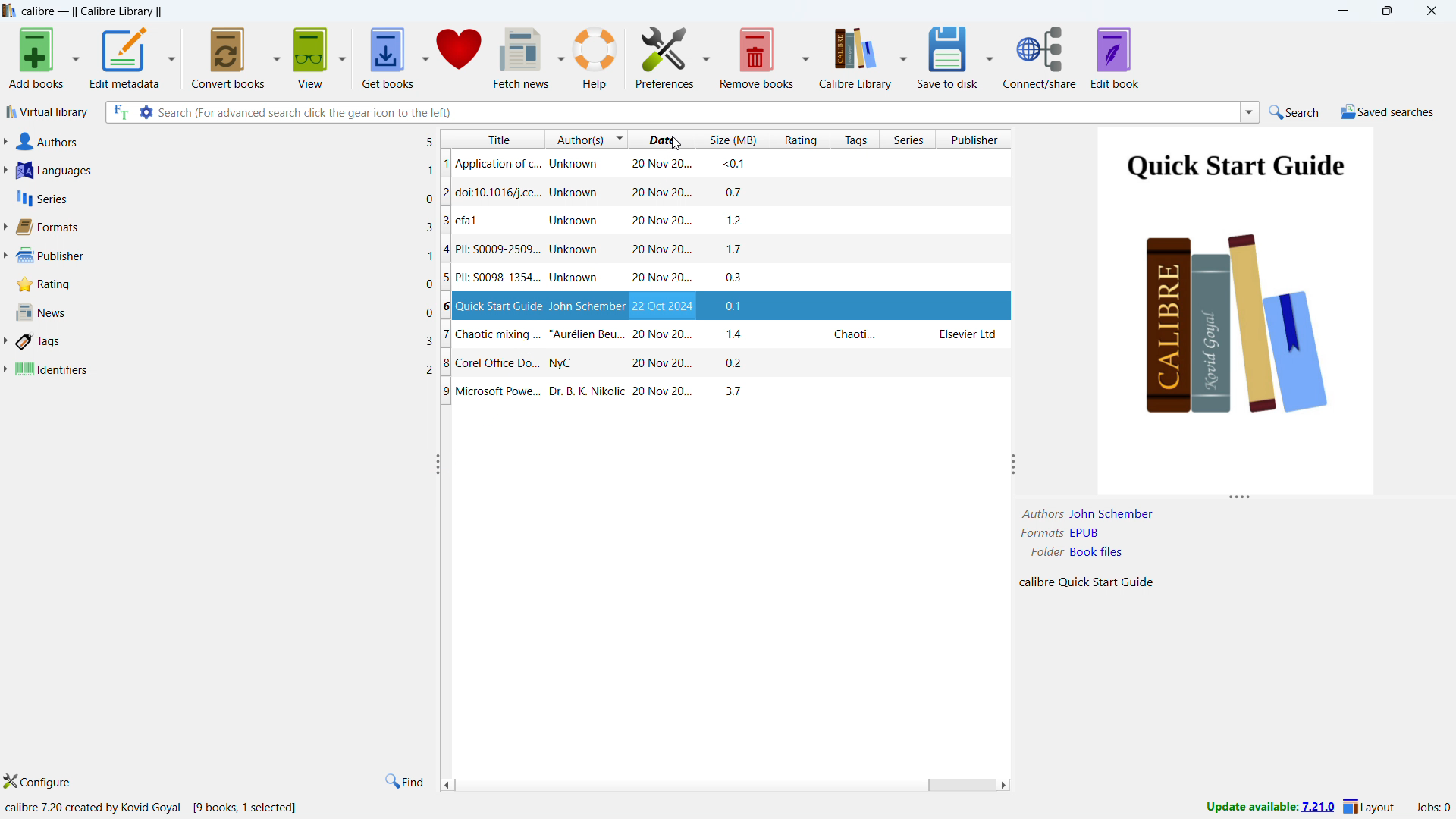  What do you see at coordinates (739, 365) in the screenshot?
I see `0.2` at bounding box center [739, 365].